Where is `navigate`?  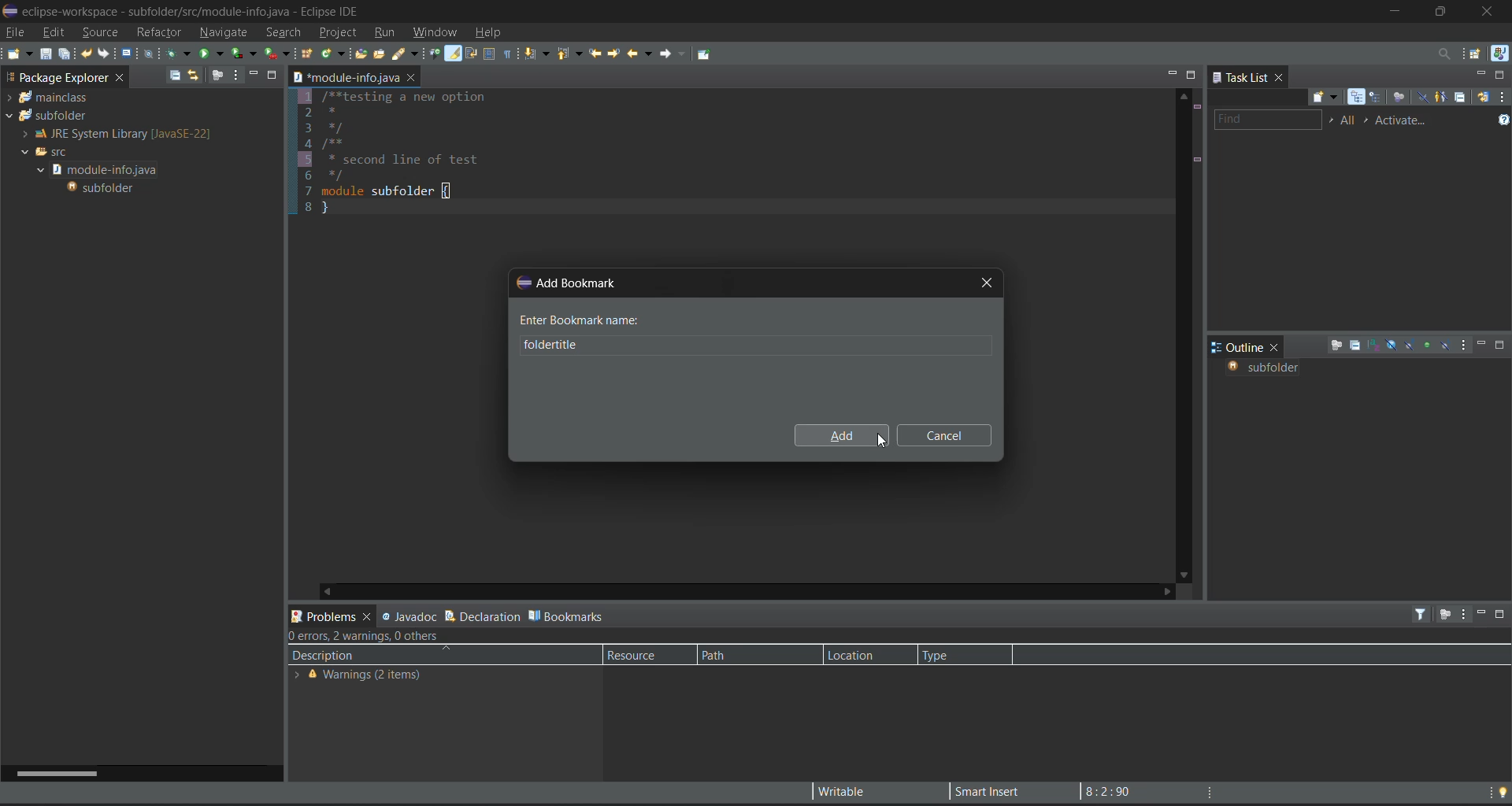
navigate is located at coordinates (223, 31).